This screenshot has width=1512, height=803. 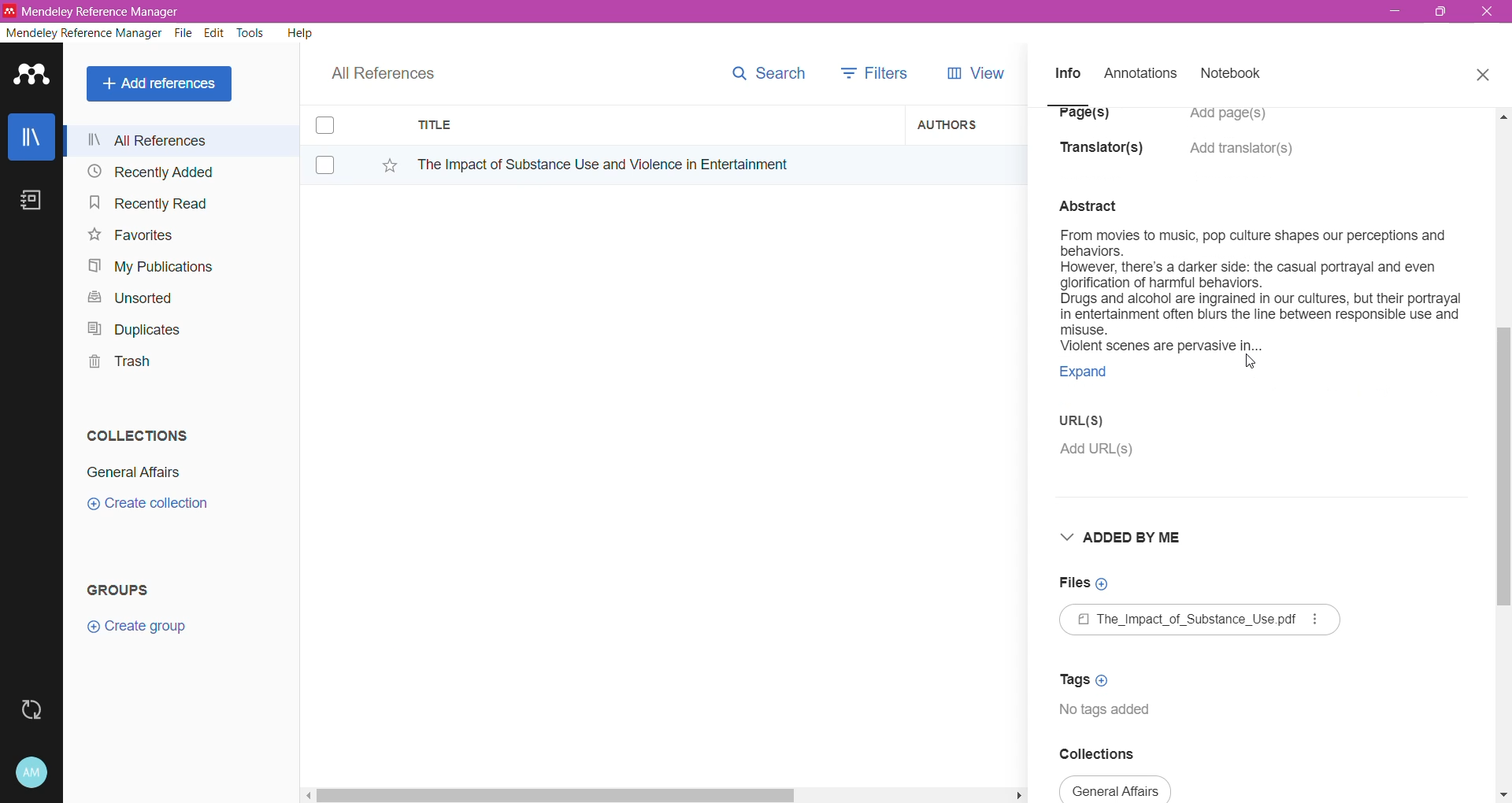 I want to click on Click to Add to Favorites, so click(x=381, y=162).